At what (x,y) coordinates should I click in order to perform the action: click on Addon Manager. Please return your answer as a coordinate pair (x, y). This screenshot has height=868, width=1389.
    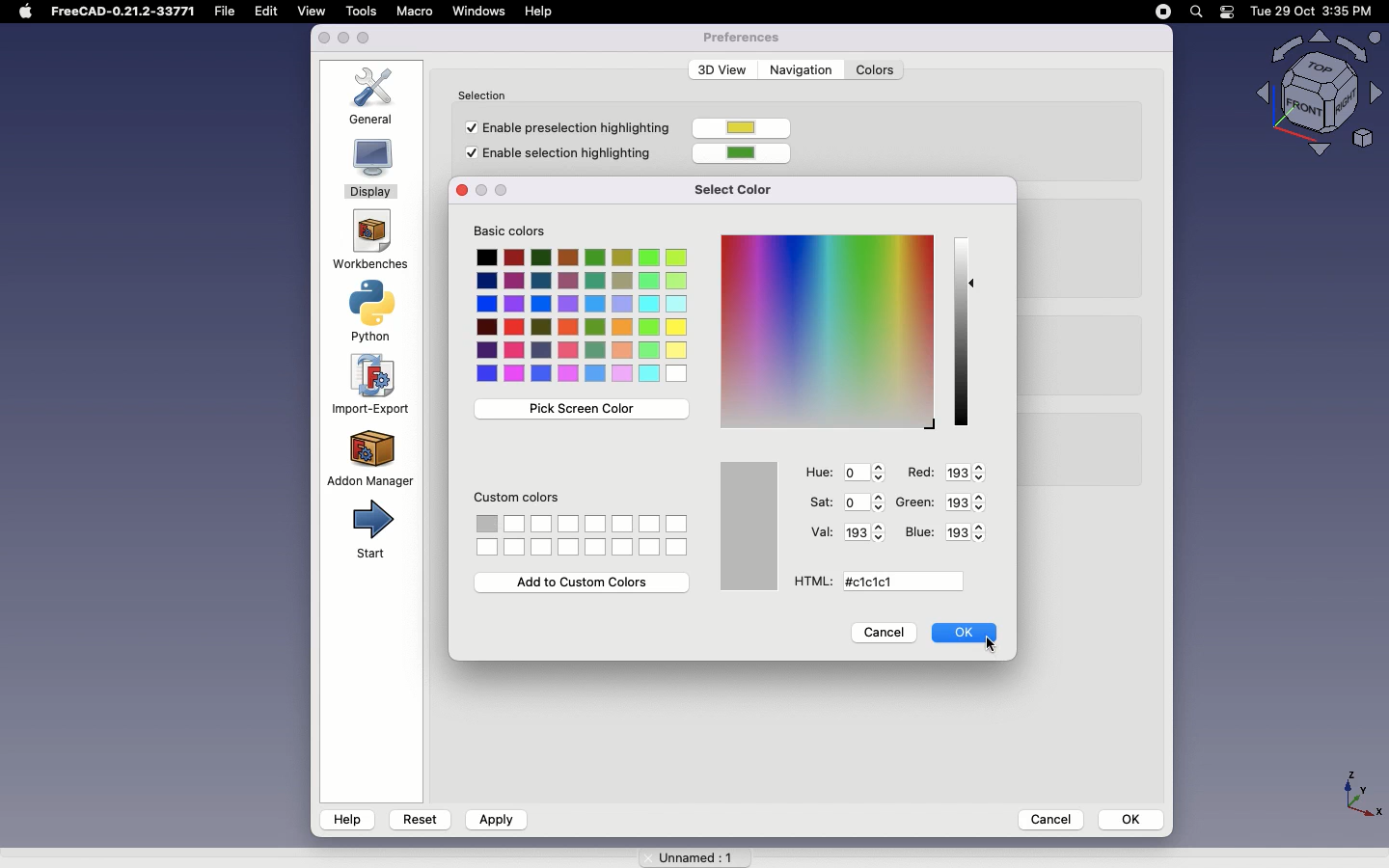
    Looking at the image, I should click on (370, 457).